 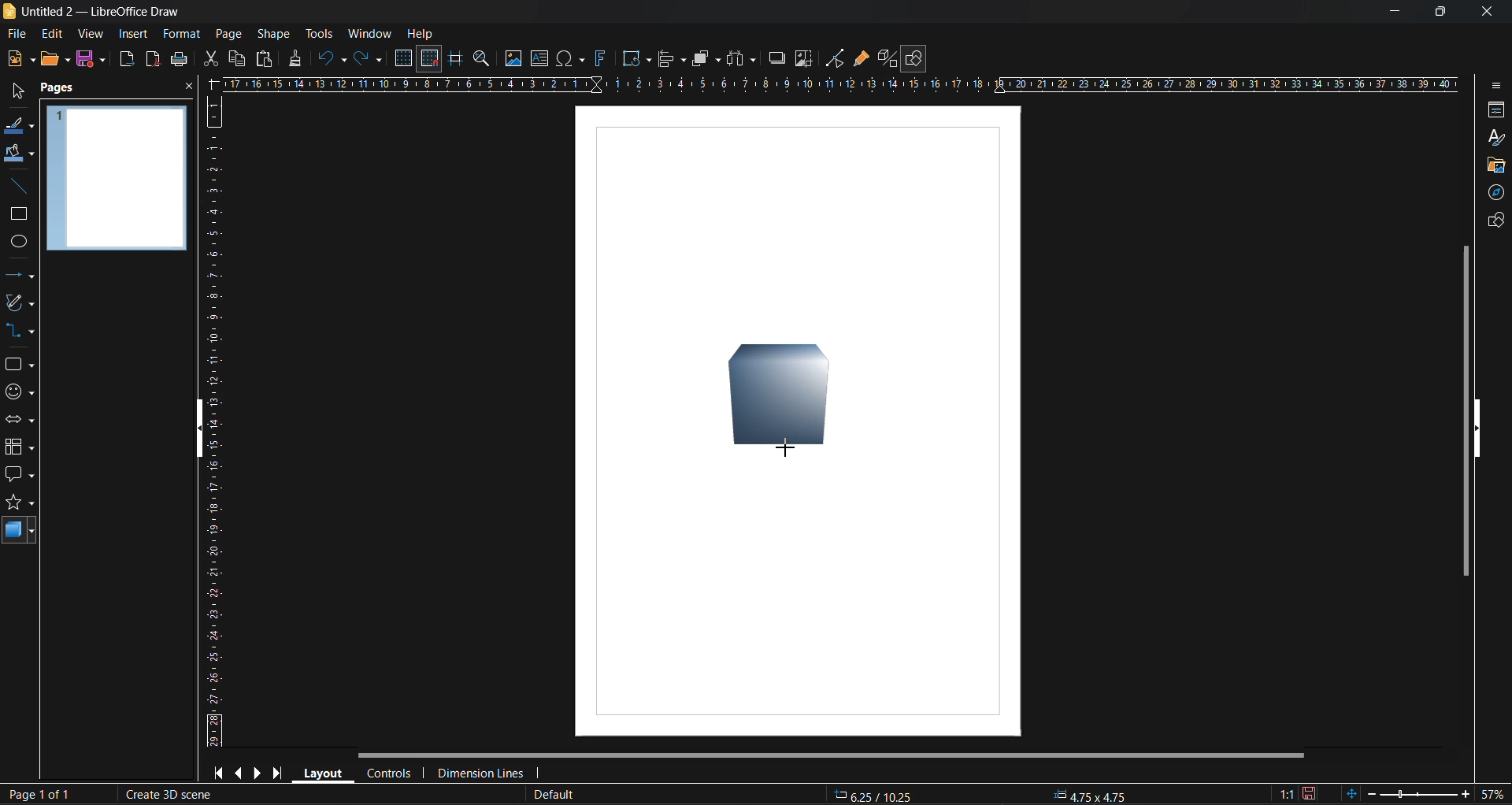 I want to click on vertical ruler, so click(x=215, y=421).